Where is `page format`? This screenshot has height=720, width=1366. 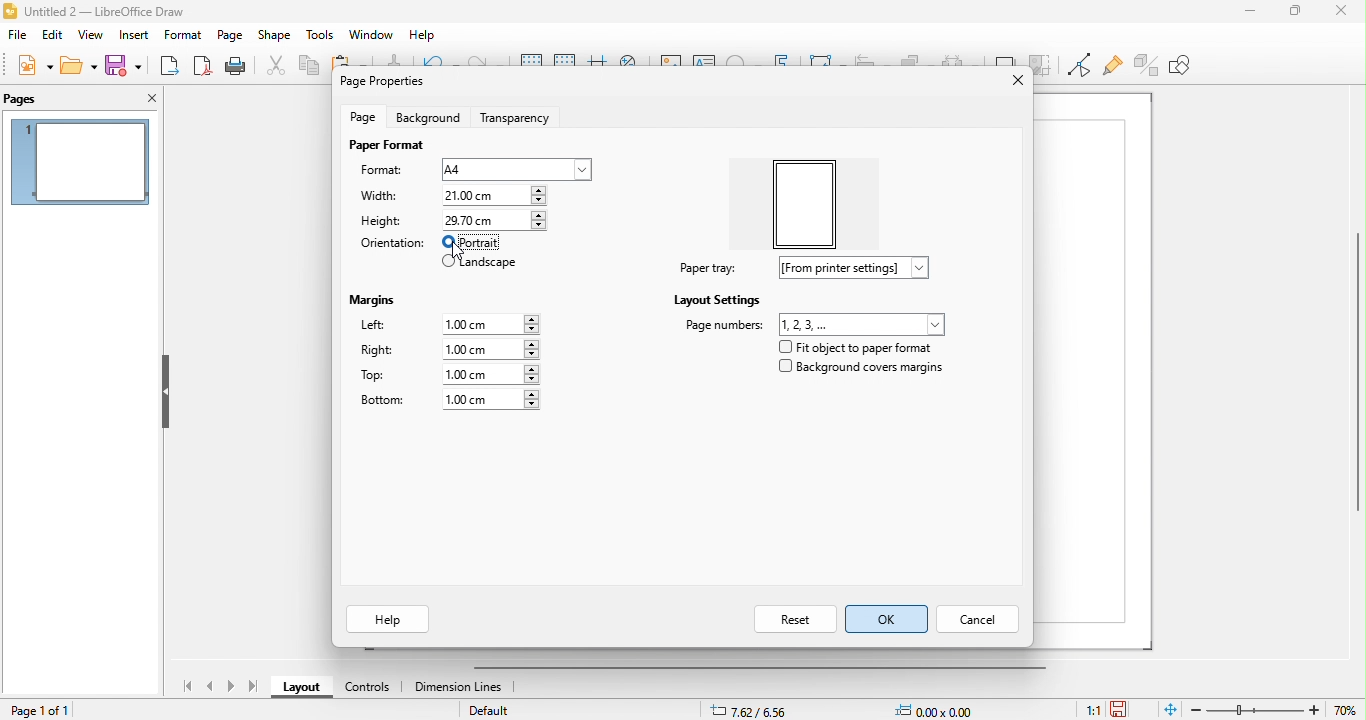
page format is located at coordinates (381, 148).